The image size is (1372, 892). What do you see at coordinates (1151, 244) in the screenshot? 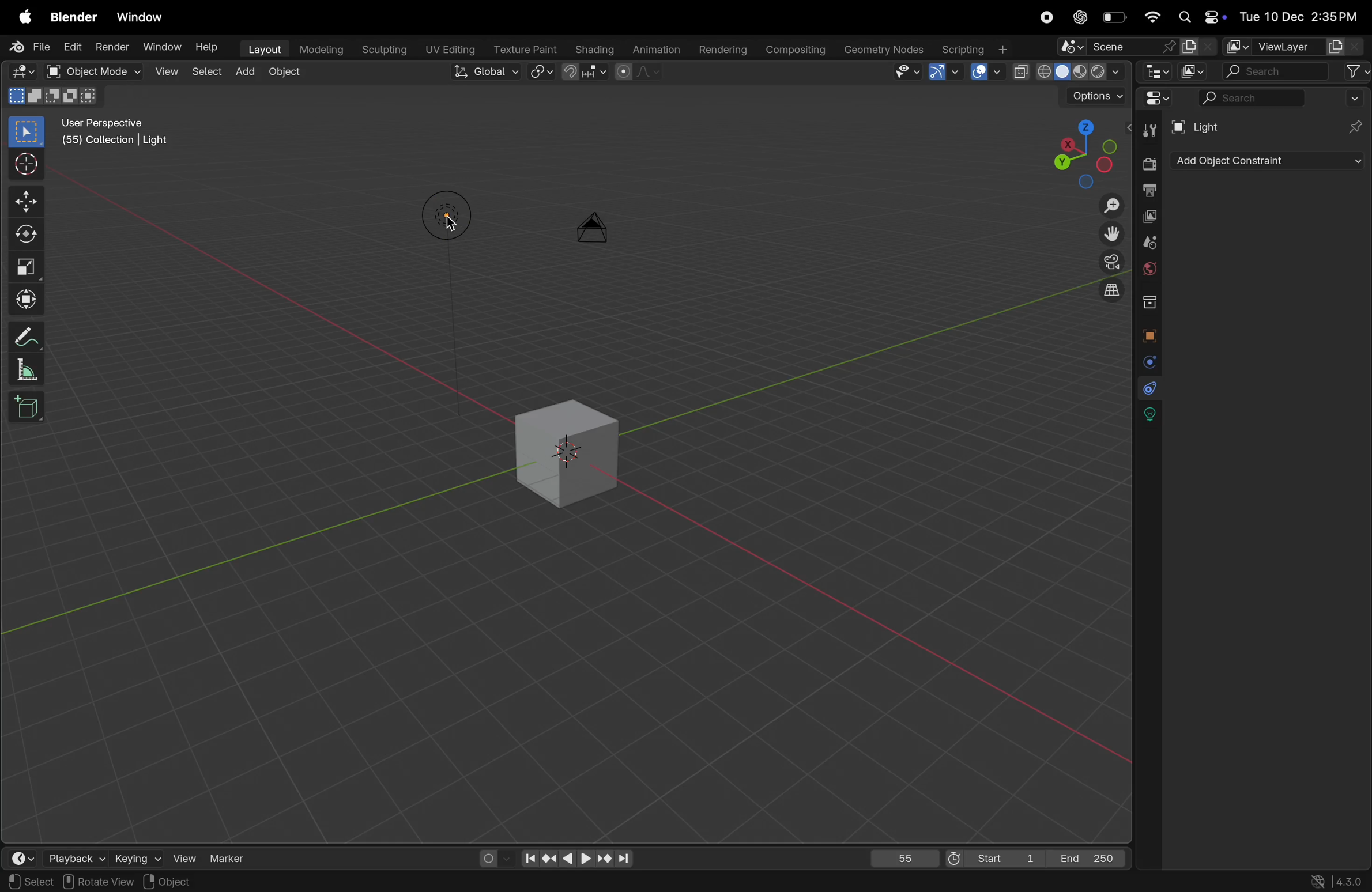
I see `scene` at bounding box center [1151, 244].